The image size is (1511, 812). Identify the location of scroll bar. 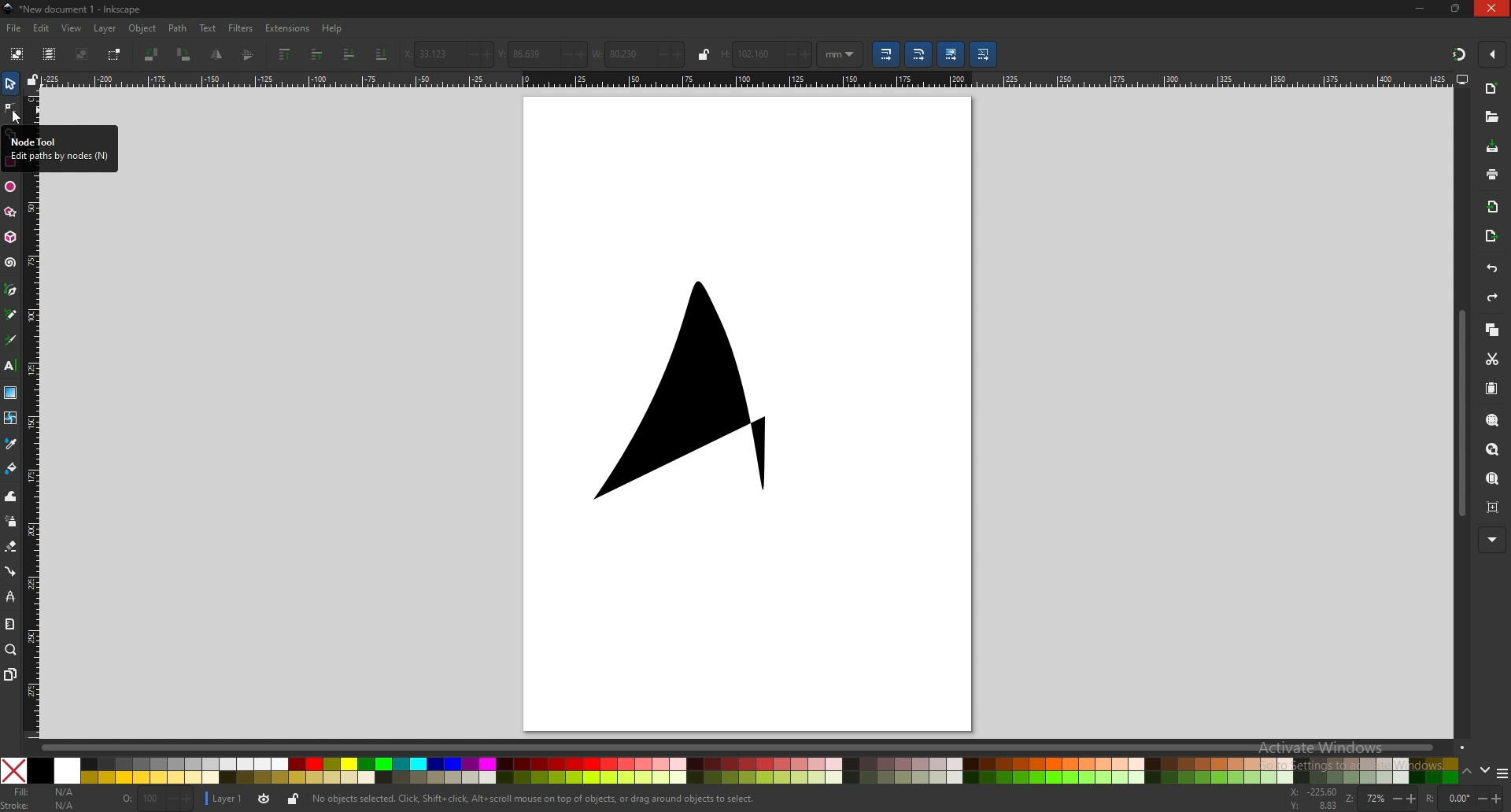
(755, 747).